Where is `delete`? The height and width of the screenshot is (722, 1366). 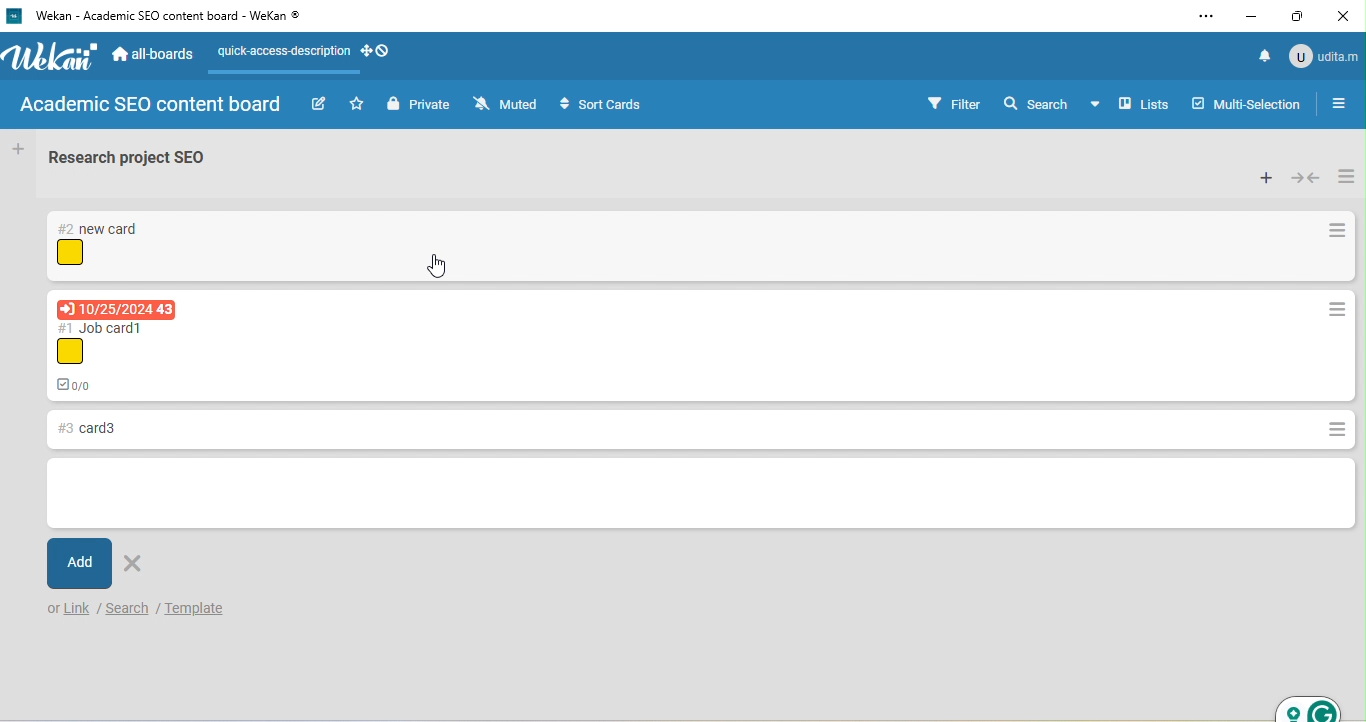 delete is located at coordinates (134, 564).